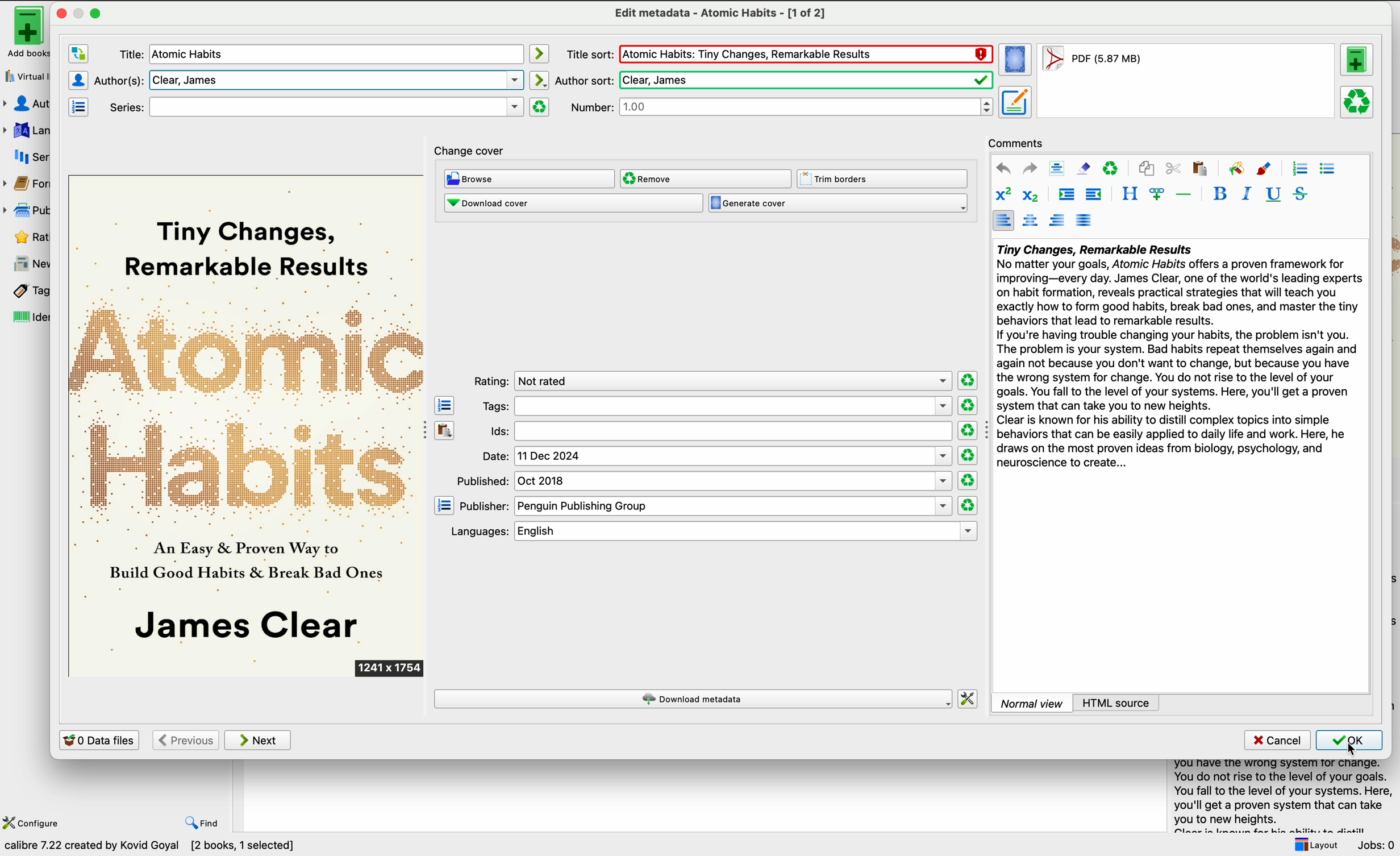 Image resolution: width=1400 pixels, height=856 pixels. I want to click on Ids, so click(718, 432).